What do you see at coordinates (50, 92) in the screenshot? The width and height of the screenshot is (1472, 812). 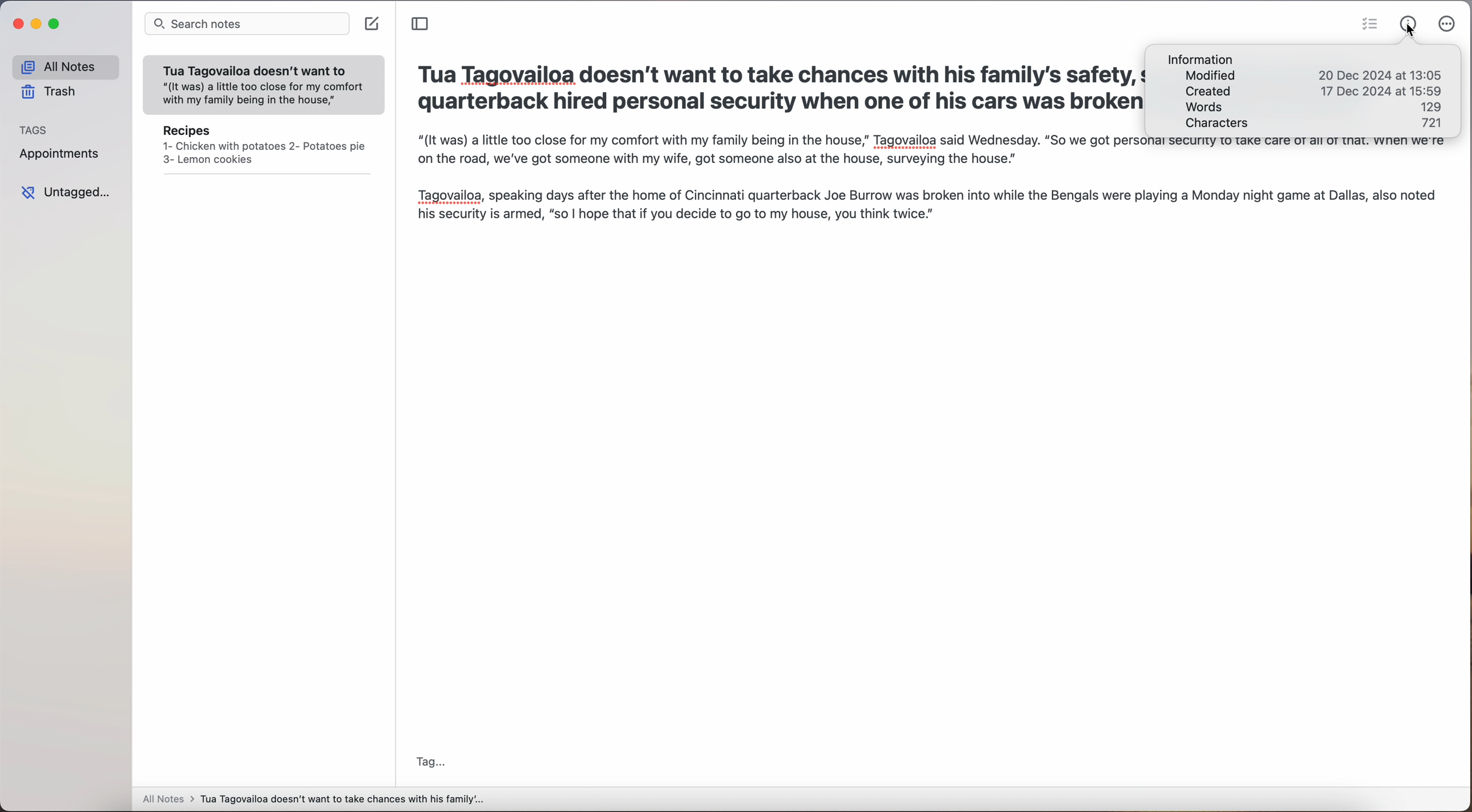 I see `trash` at bounding box center [50, 92].